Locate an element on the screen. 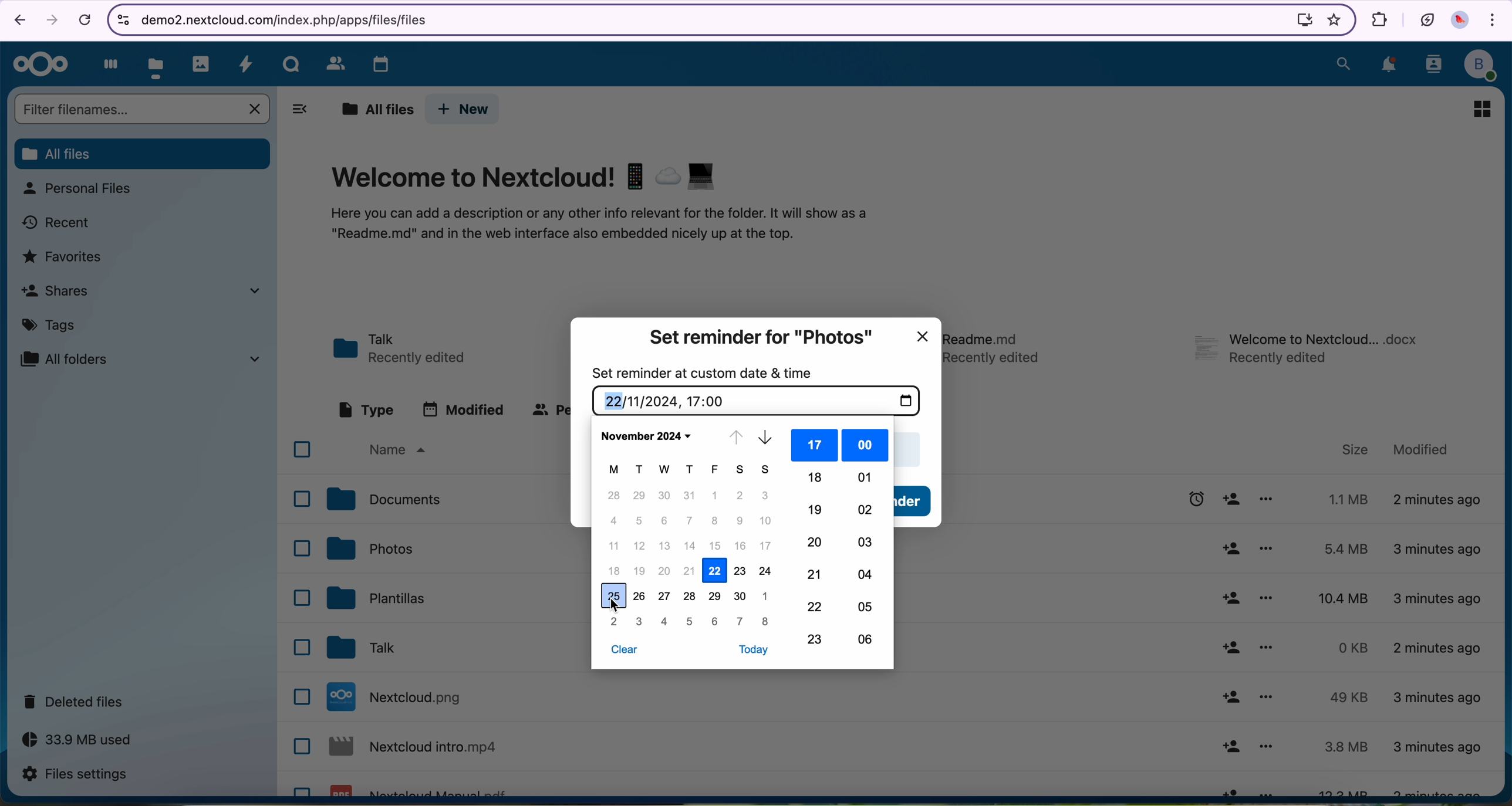 This screenshot has height=806, width=1512. click on files is located at coordinates (158, 62).